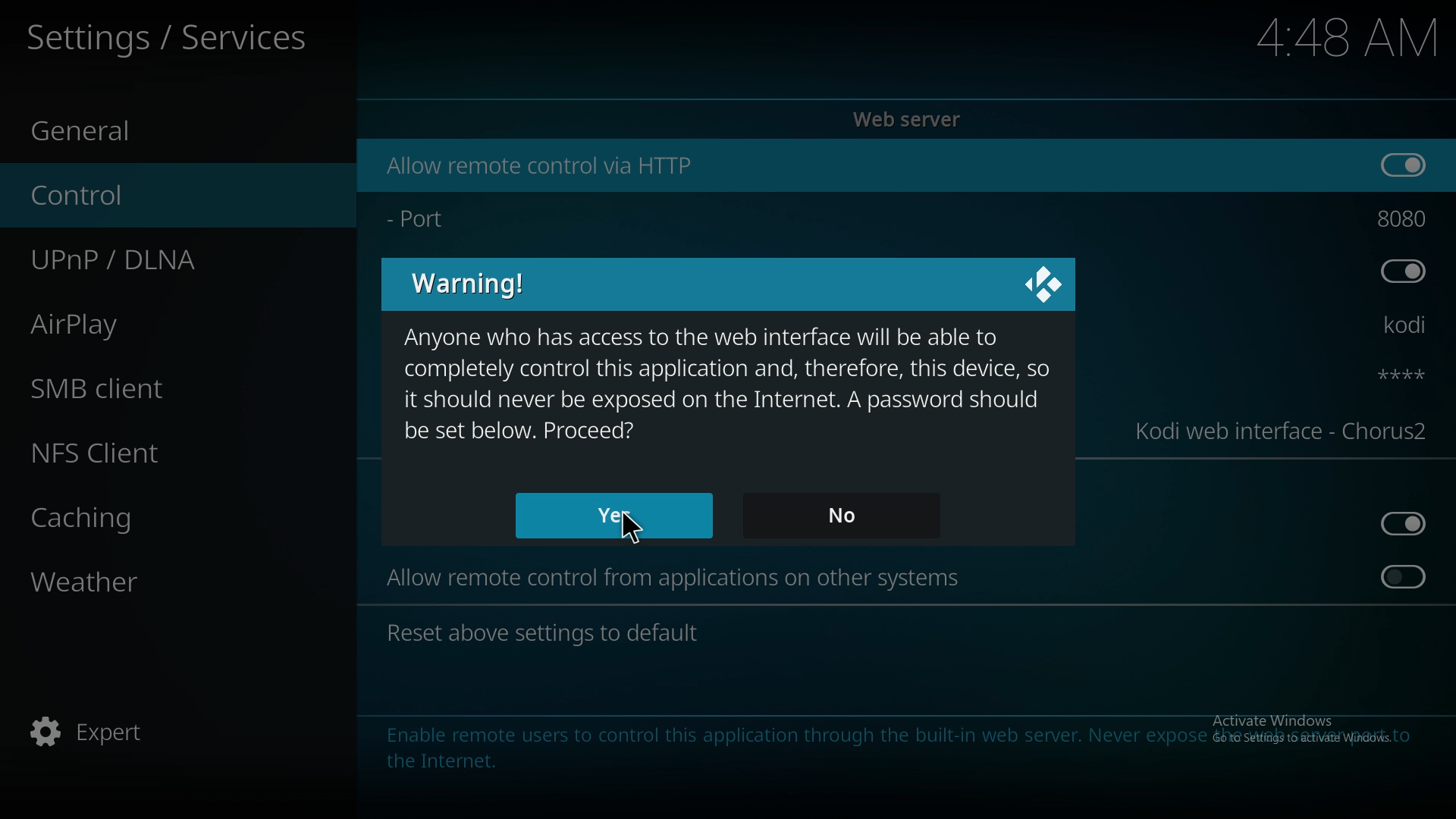 The image size is (1456, 819). Describe the element at coordinates (121, 519) in the screenshot. I see `caching` at that location.